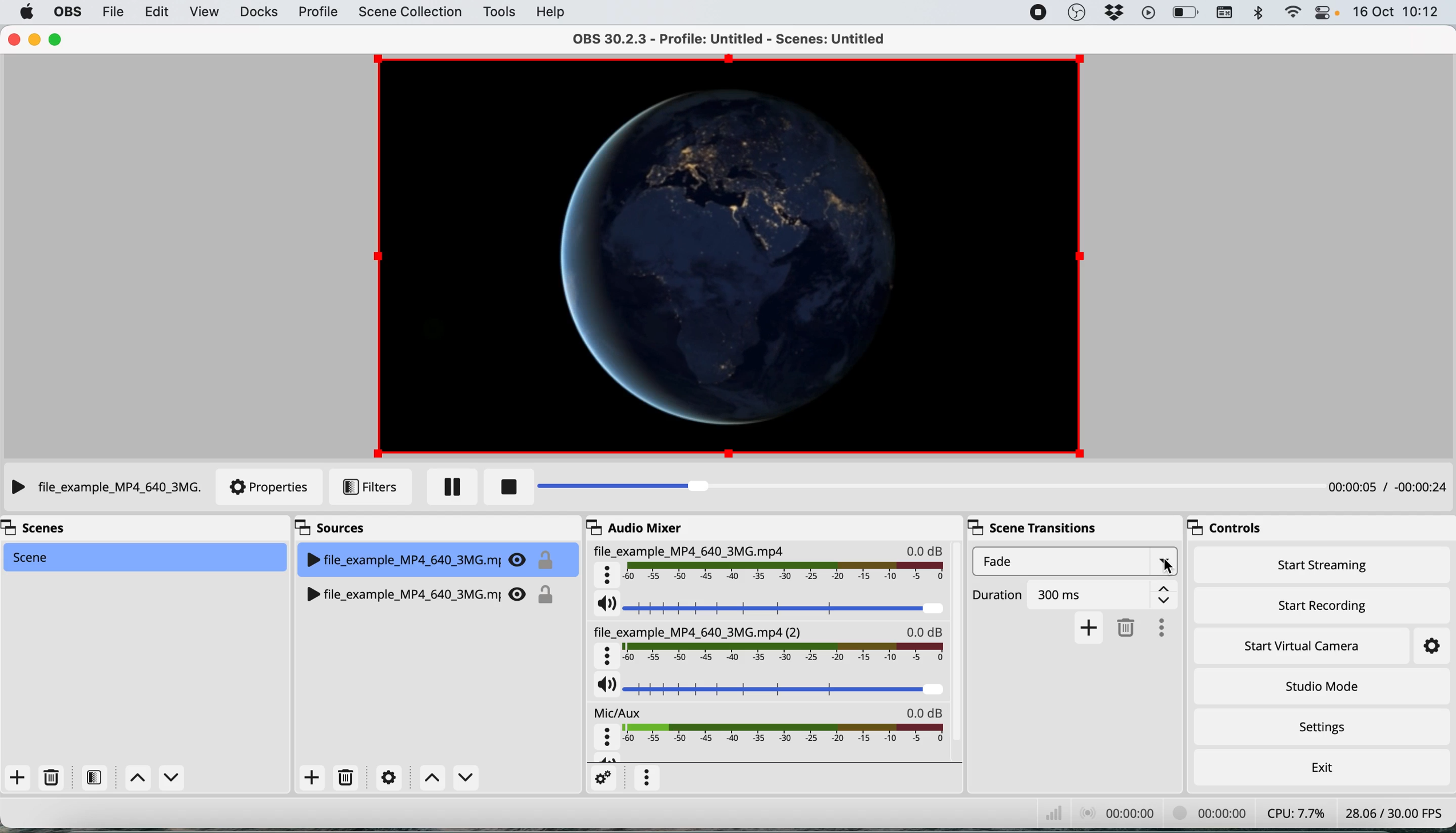 This screenshot has width=1456, height=833. Describe the element at coordinates (714, 38) in the screenshot. I see `OBS 30.2.3 - Profile: Untitled - Scenes: Untitled` at that location.